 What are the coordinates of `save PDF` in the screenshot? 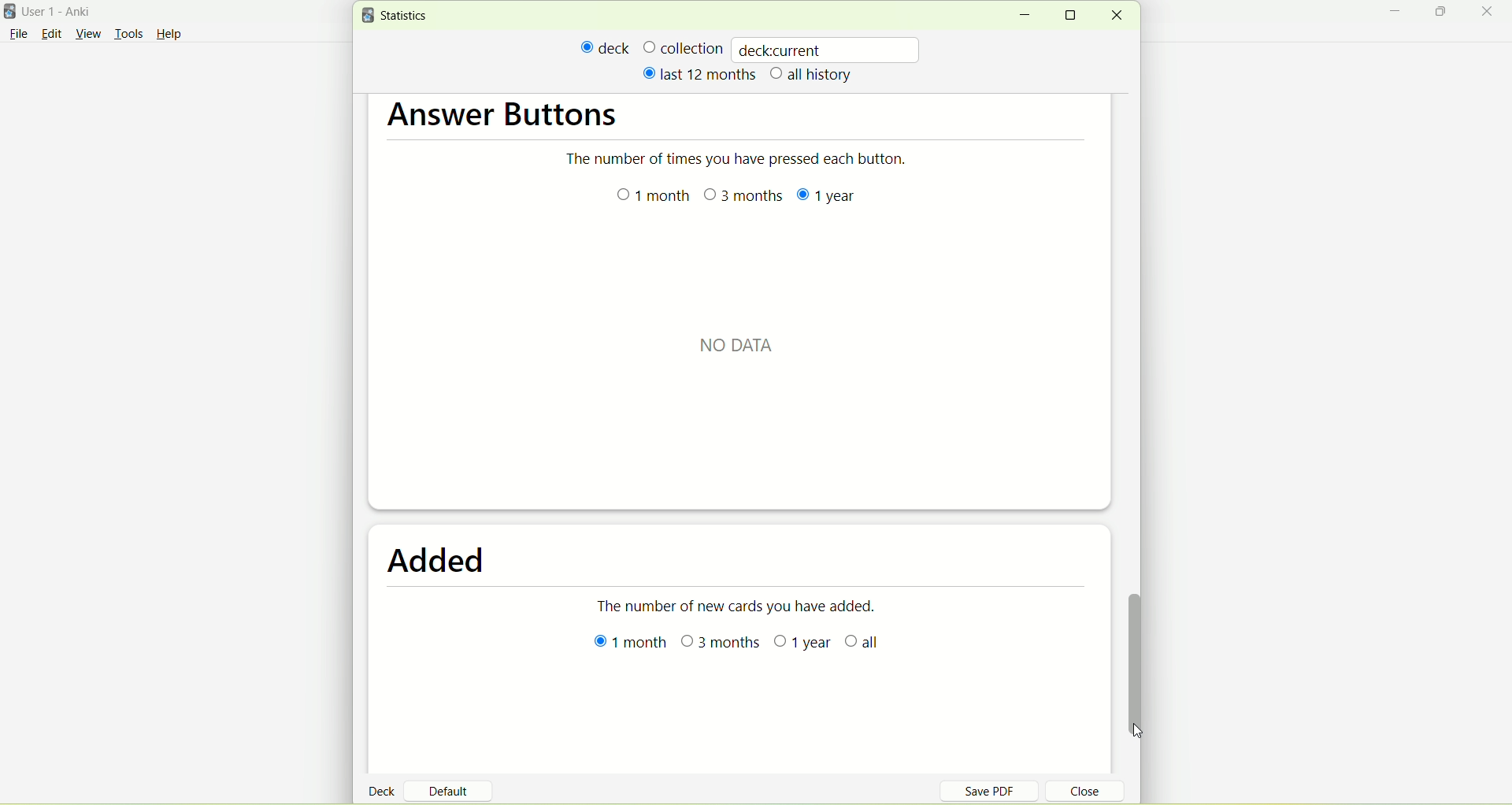 It's located at (999, 790).